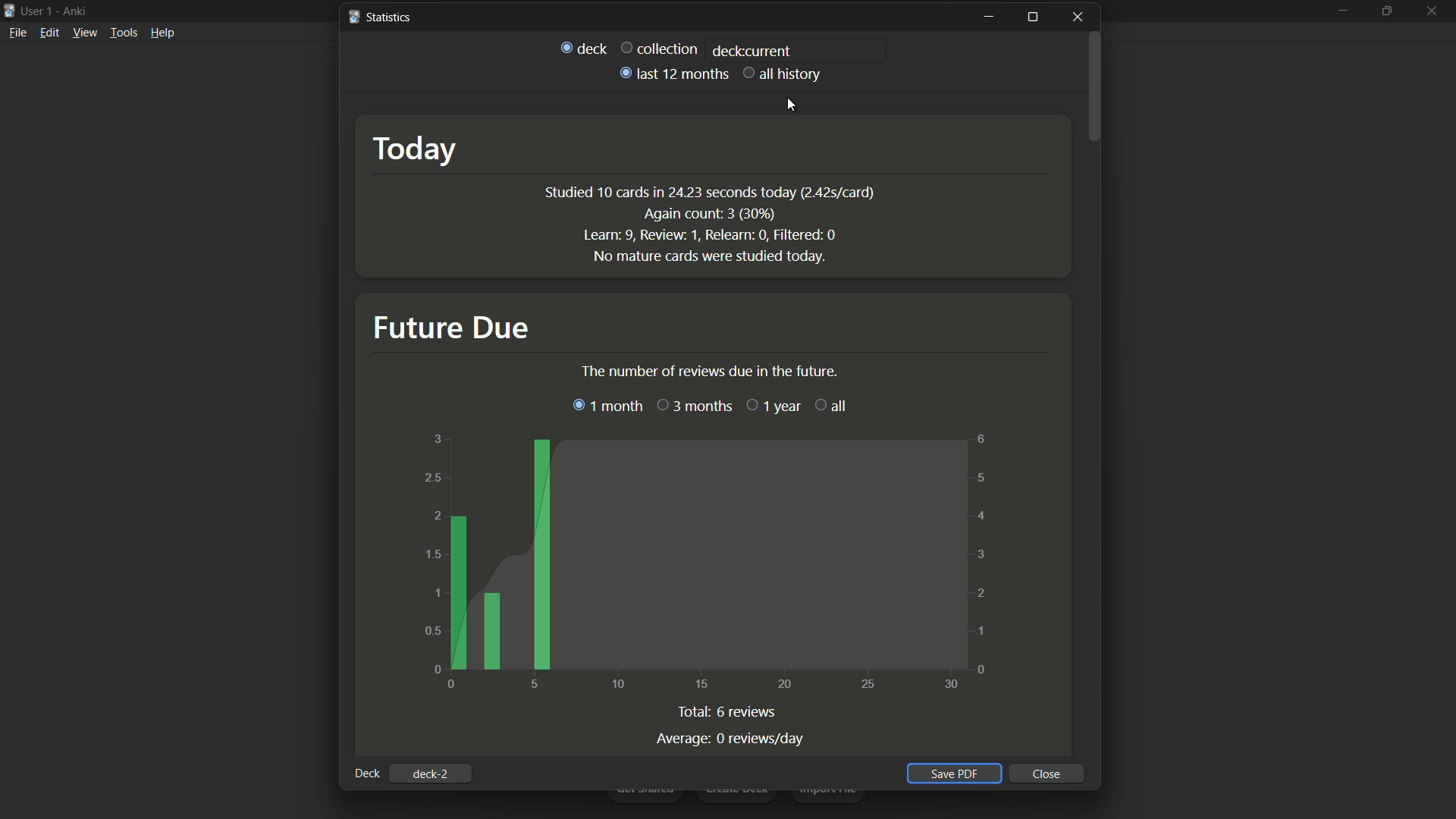  I want to click on The number of reviews due in the future, so click(744, 370).